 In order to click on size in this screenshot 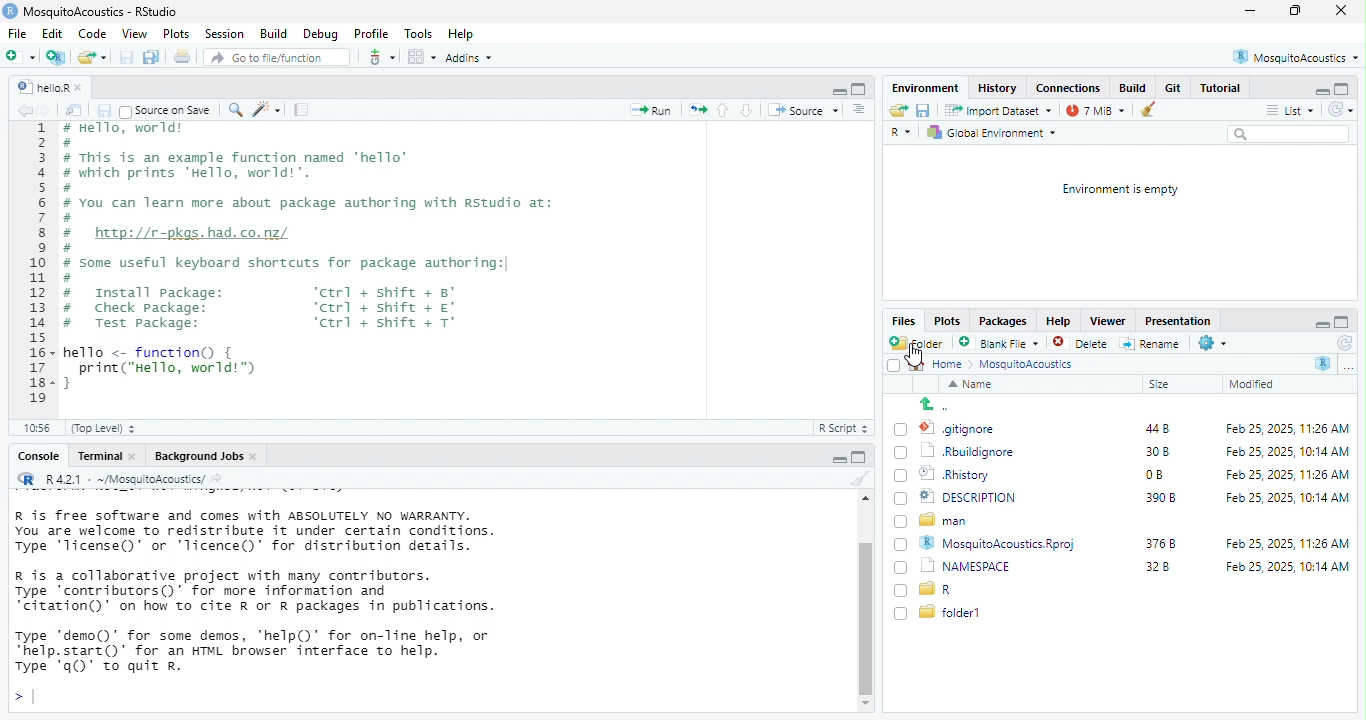, I will do `click(1172, 385)`.